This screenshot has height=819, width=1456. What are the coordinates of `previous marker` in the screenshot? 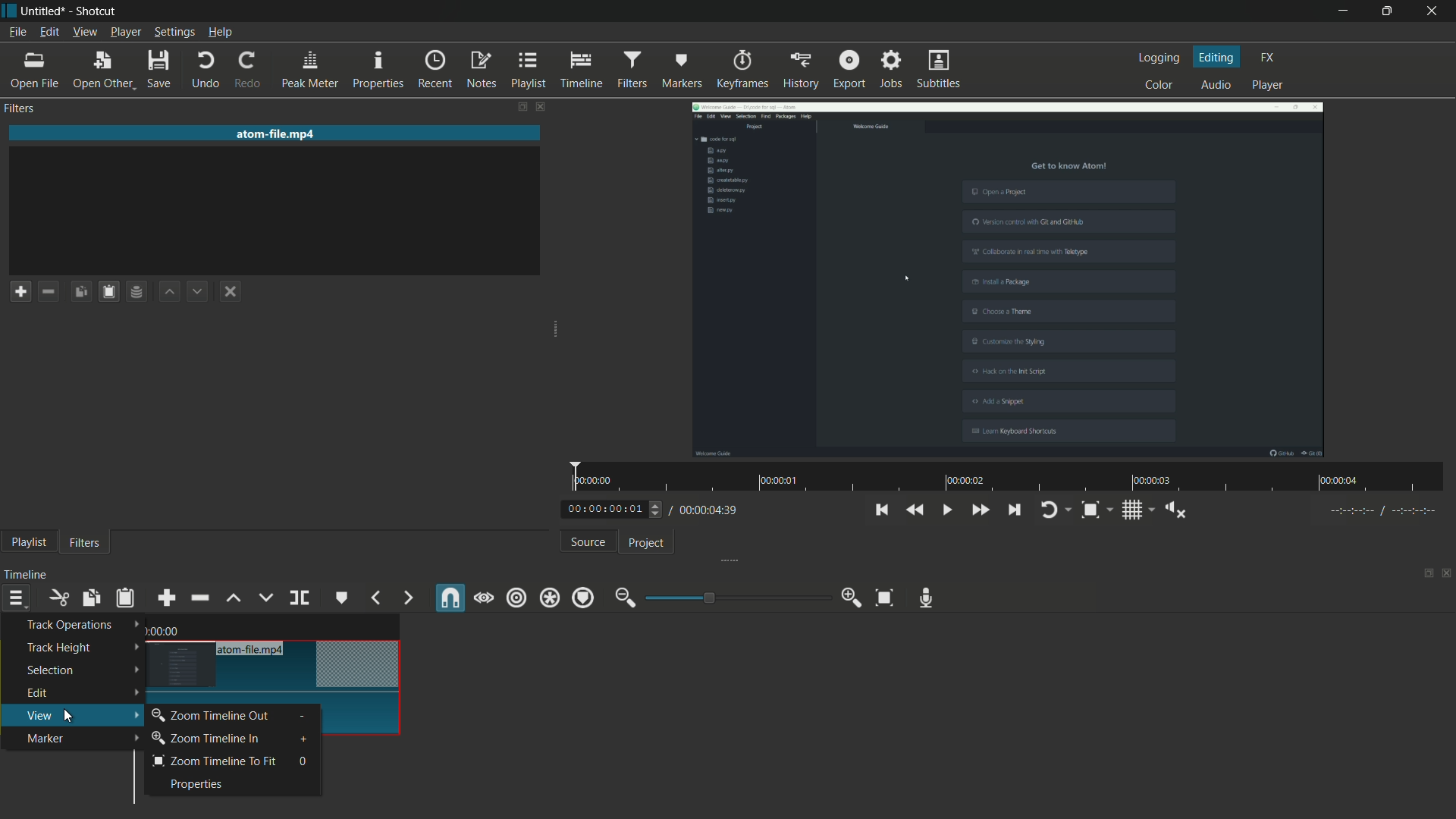 It's located at (376, 598).